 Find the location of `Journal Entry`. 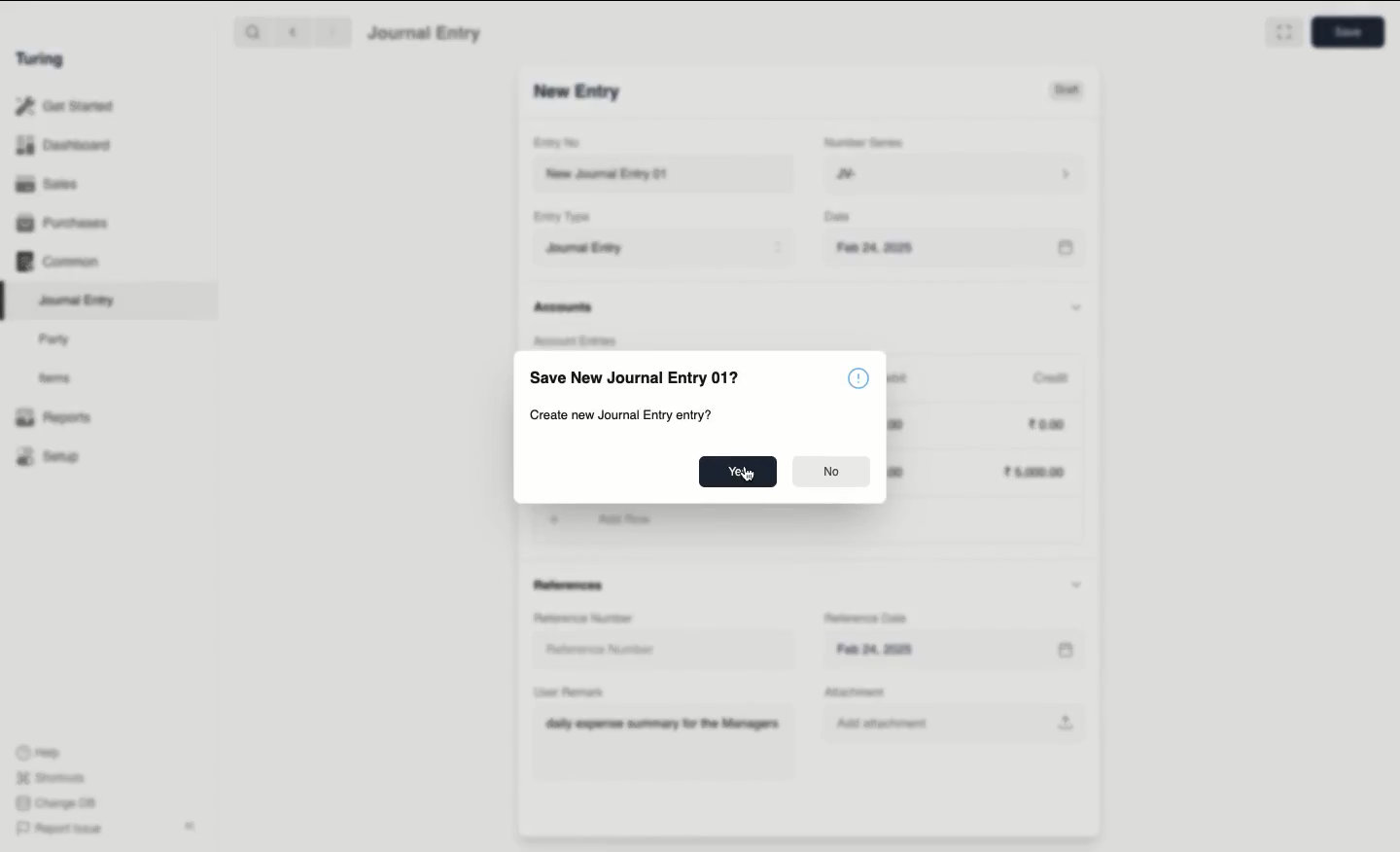

Journal Entry is located at coordinates (78, 302).